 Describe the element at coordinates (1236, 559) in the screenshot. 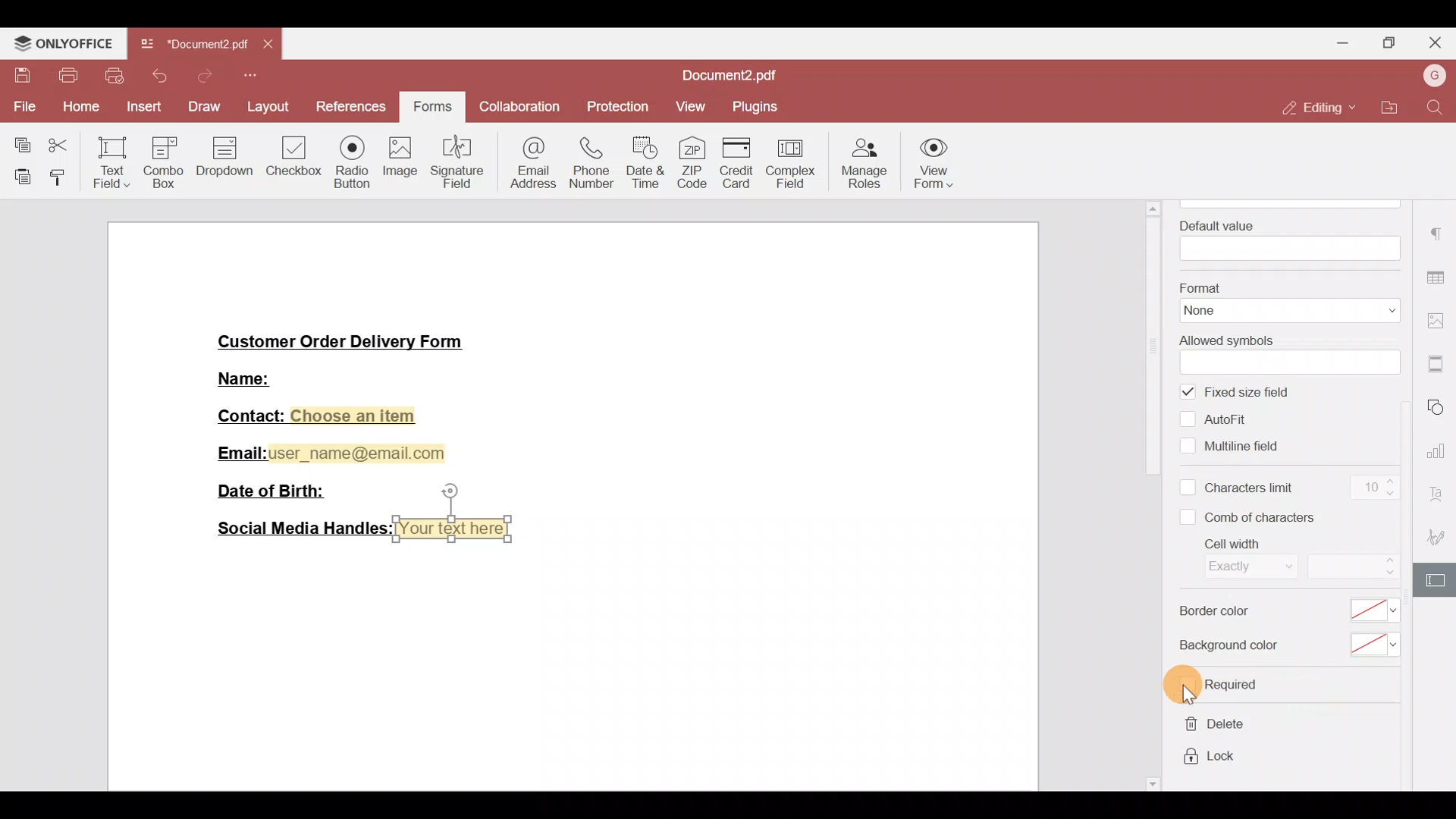

I see `Cell width` at that location.